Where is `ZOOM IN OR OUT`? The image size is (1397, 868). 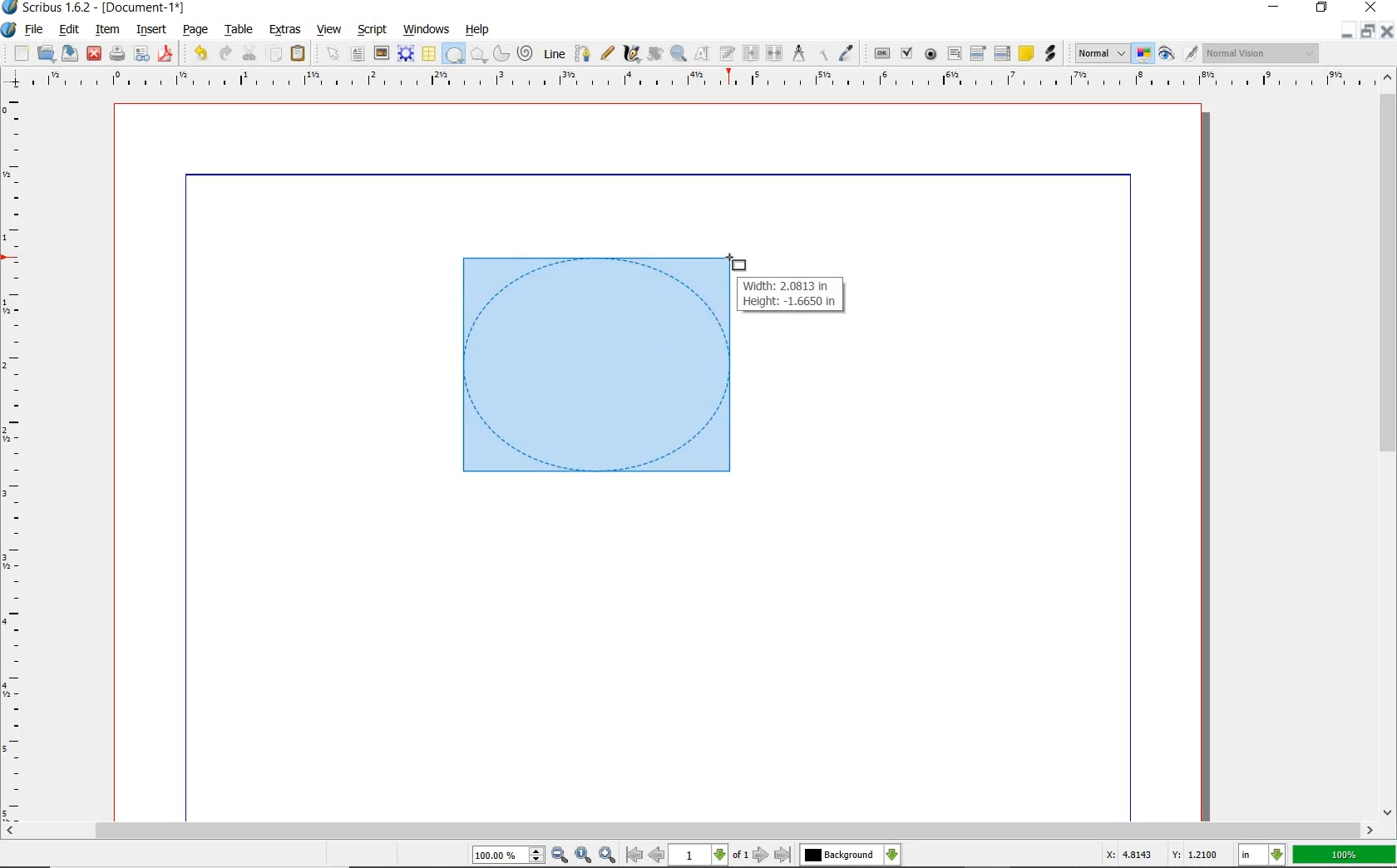
ZOOM IN OR OUT is located at coordinates (678, 54).